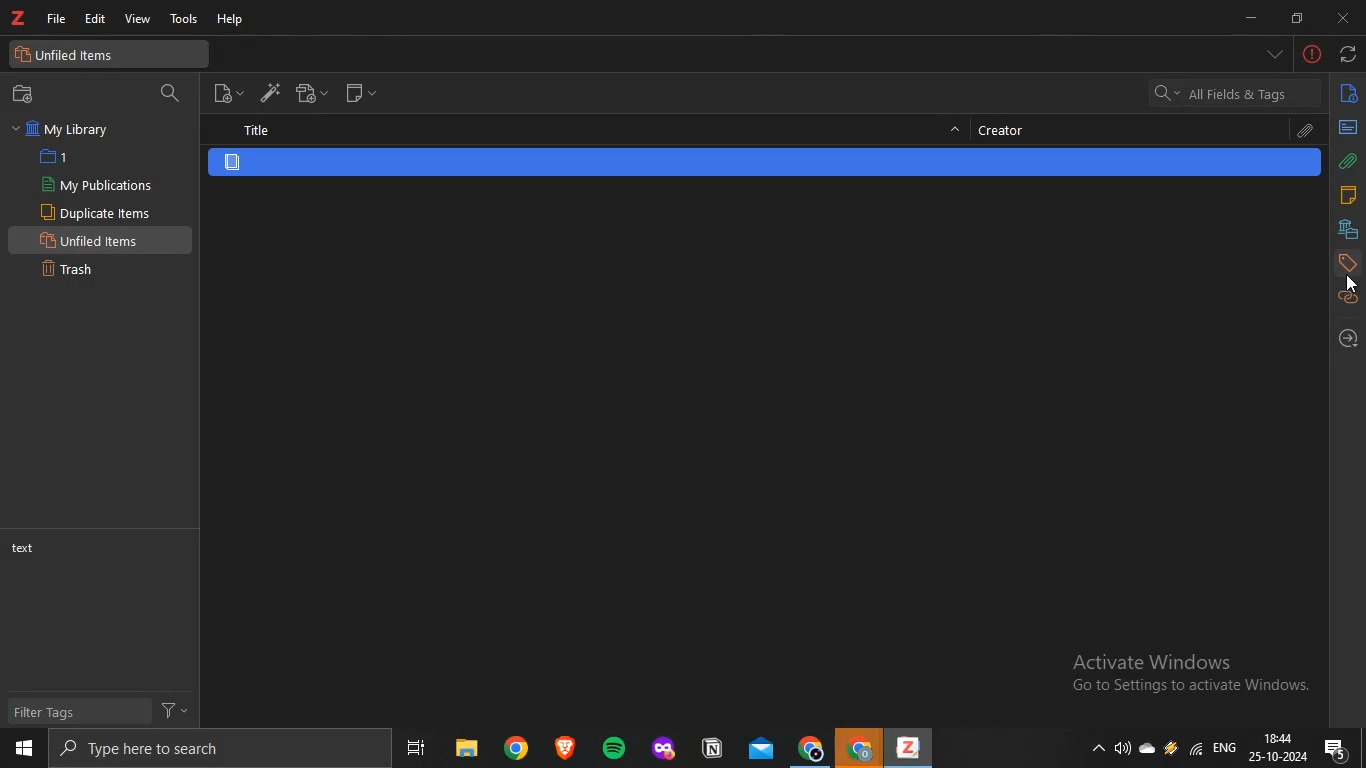  Describe the element at coordinates (1274, 736) in the screenshot. I see `18:44` at that location.